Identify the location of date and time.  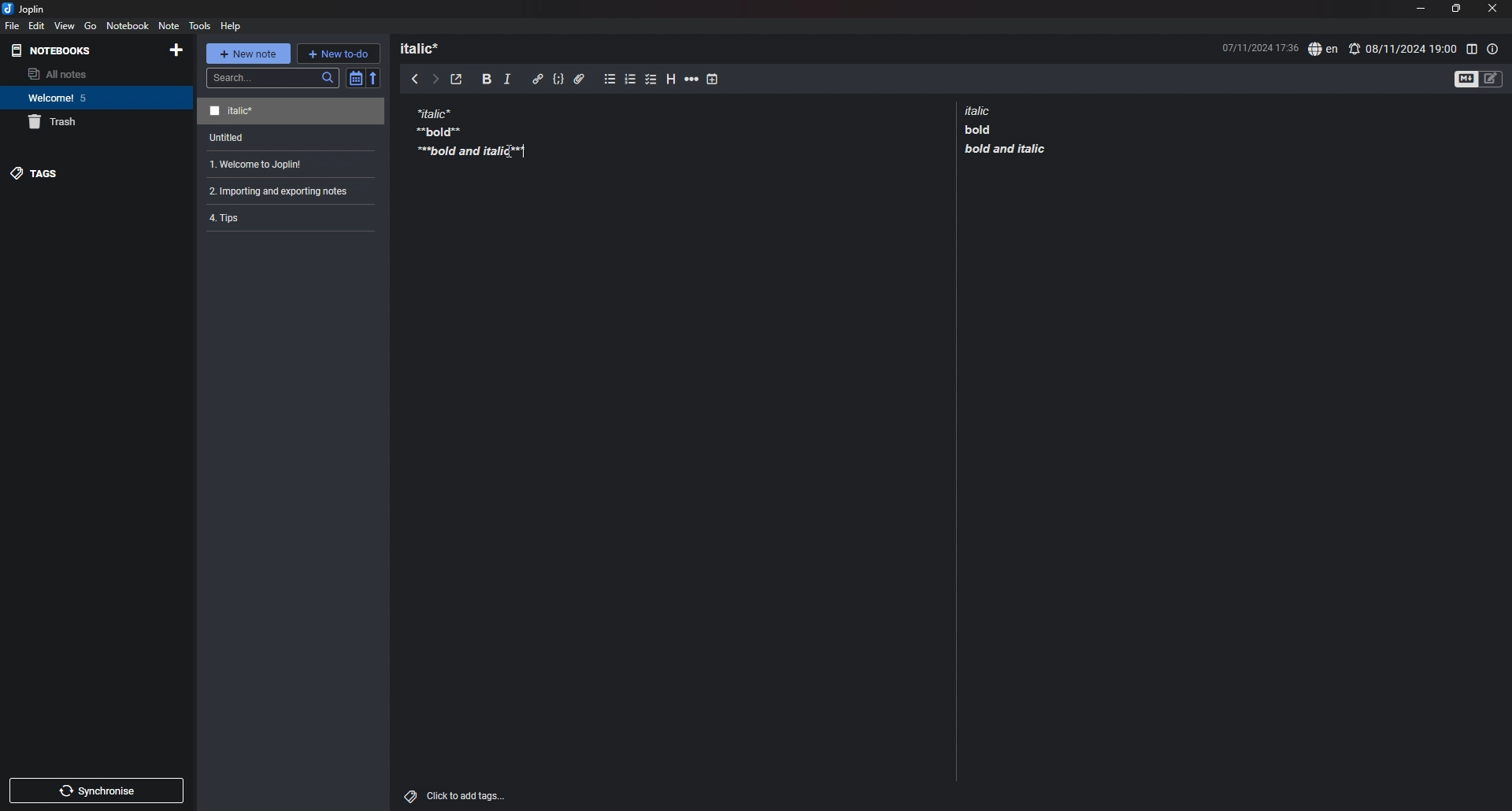
(1259, 46).